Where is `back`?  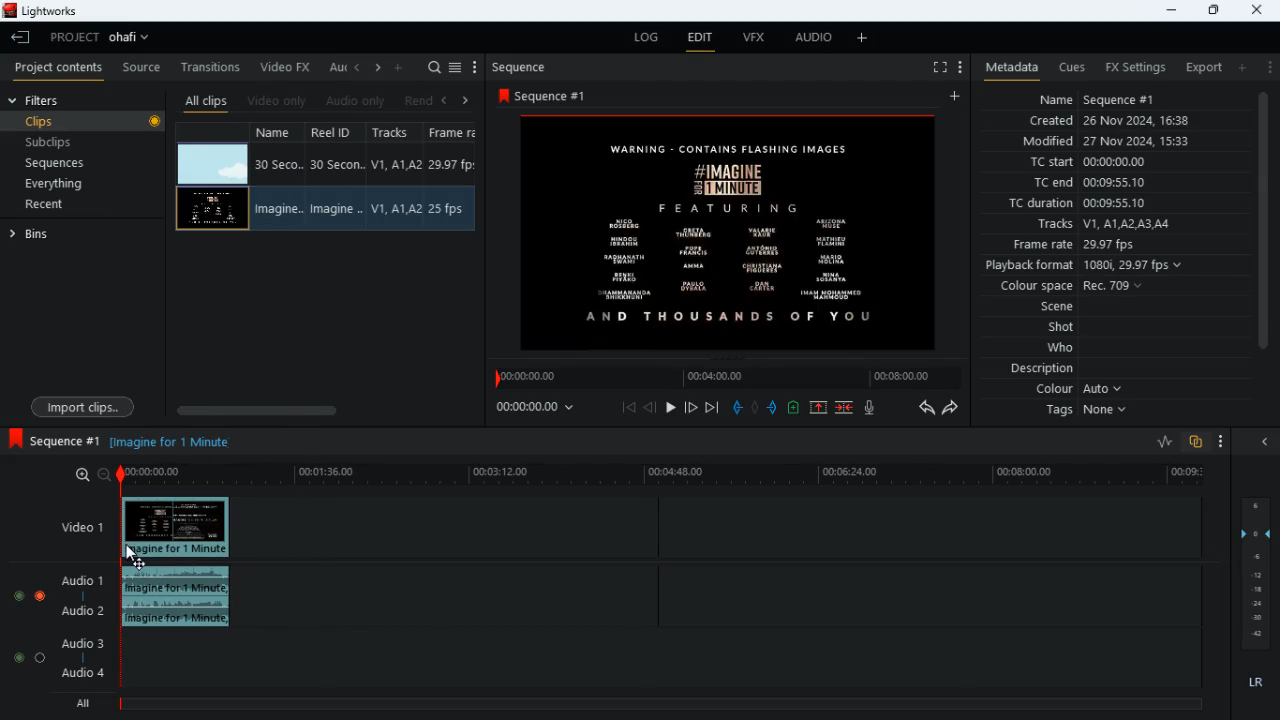 back is located at coordinates (651, 408).